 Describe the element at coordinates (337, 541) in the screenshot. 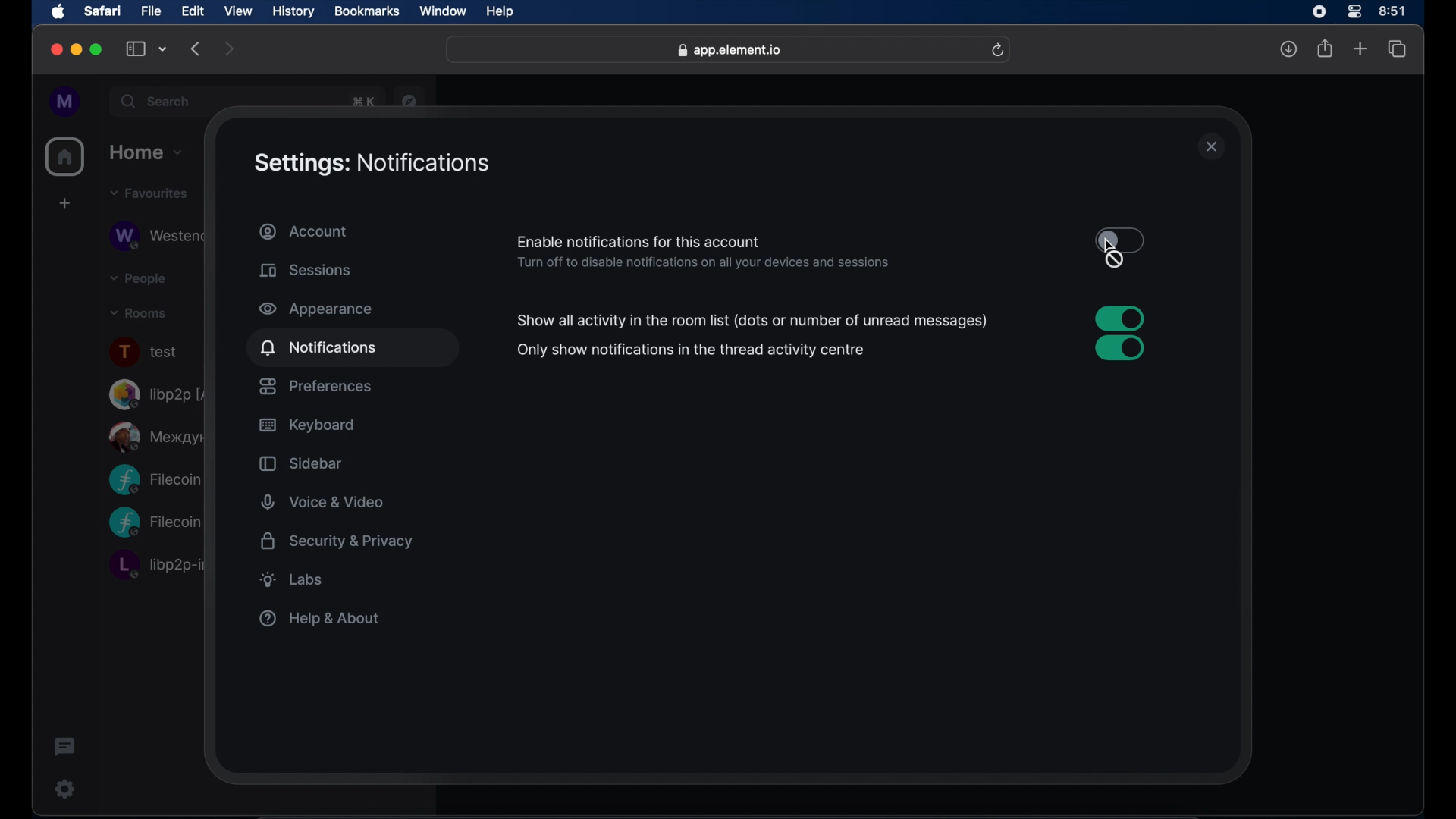

I see `security and privacy` at that location.